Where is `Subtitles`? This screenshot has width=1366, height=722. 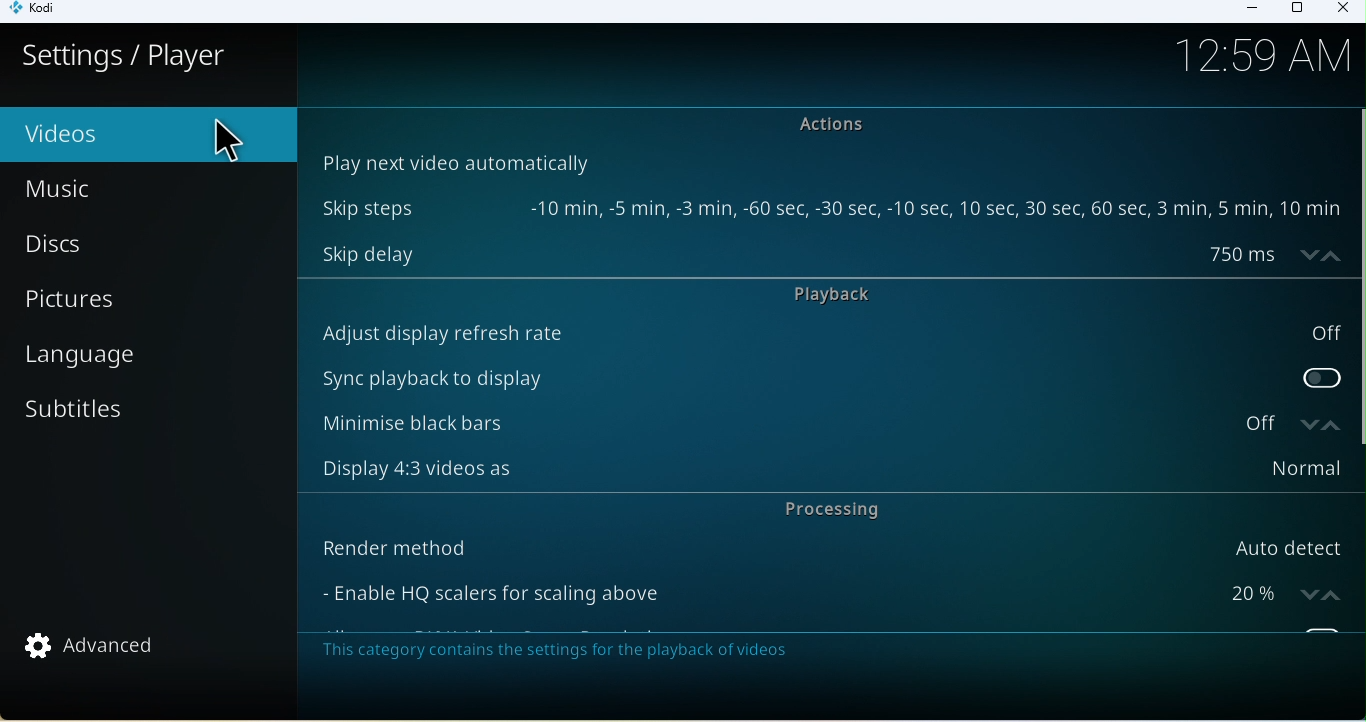
Subtitles is located at coordinates (127, 419).